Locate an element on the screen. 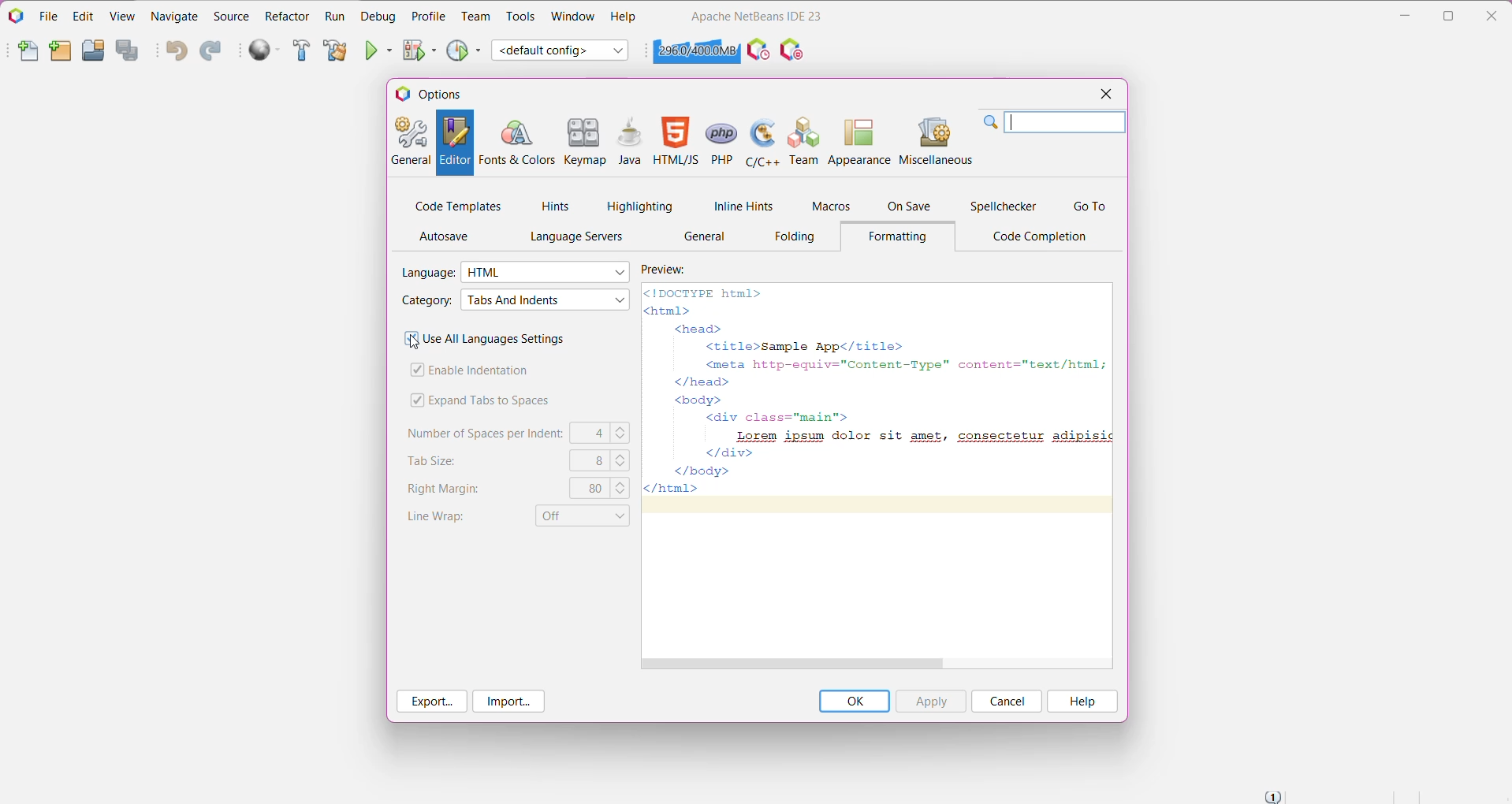 The image size is (1512, 804). Debug Project is located at coordinates (420, 50).